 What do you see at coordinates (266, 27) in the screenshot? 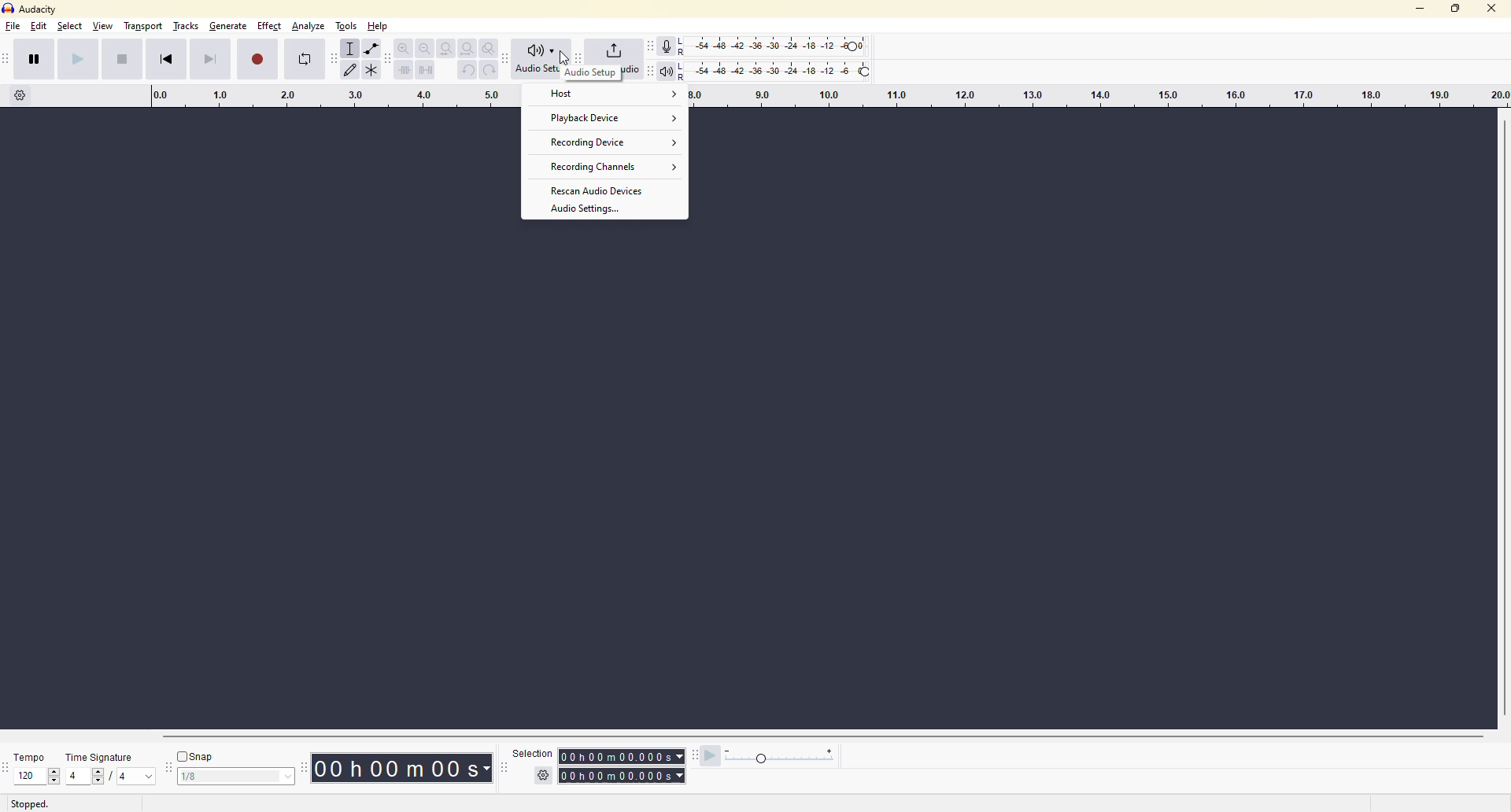
I see `effect` at bounding box center [266, 27].